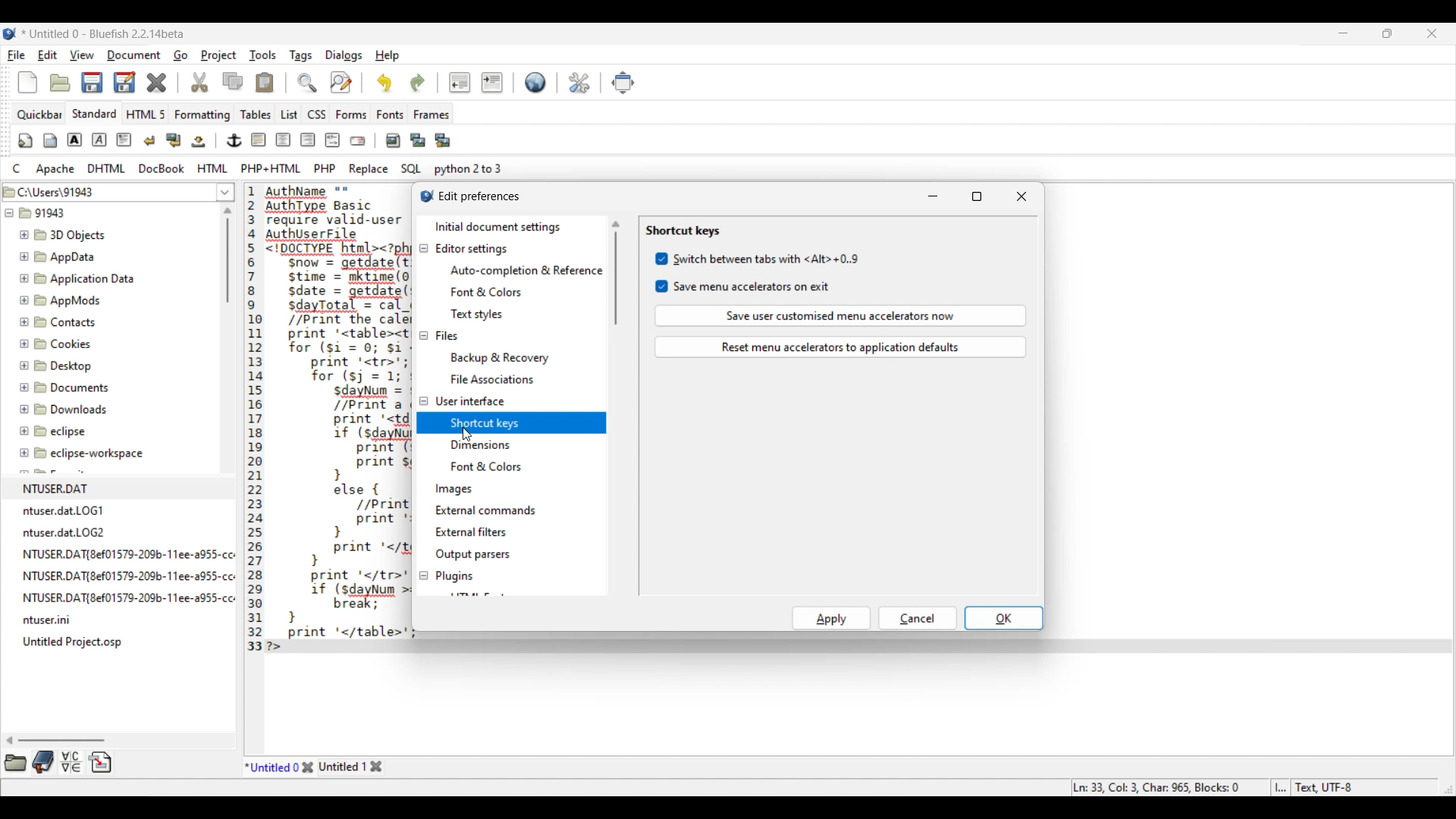 Image resolution: width=1456 pixels, height=819 pixels. Describe the element at coordinates (65, 322) in the screenshot. I see `Contacts` at that location.